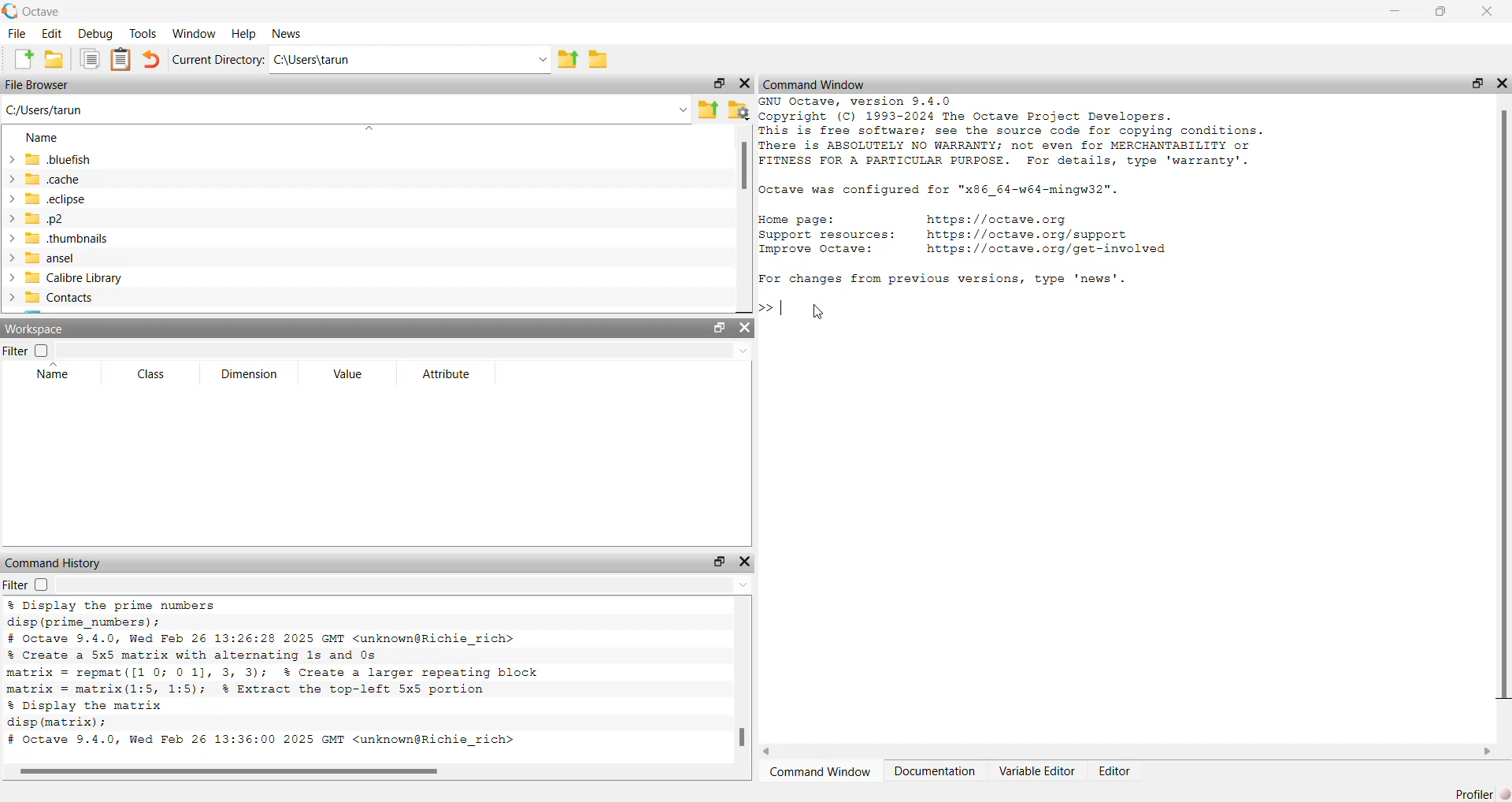 The image size is (1512, 802). What do you see at coordinates (42, 87) in the screenshot?
I see `file browser` at bounding box center [42, 87].